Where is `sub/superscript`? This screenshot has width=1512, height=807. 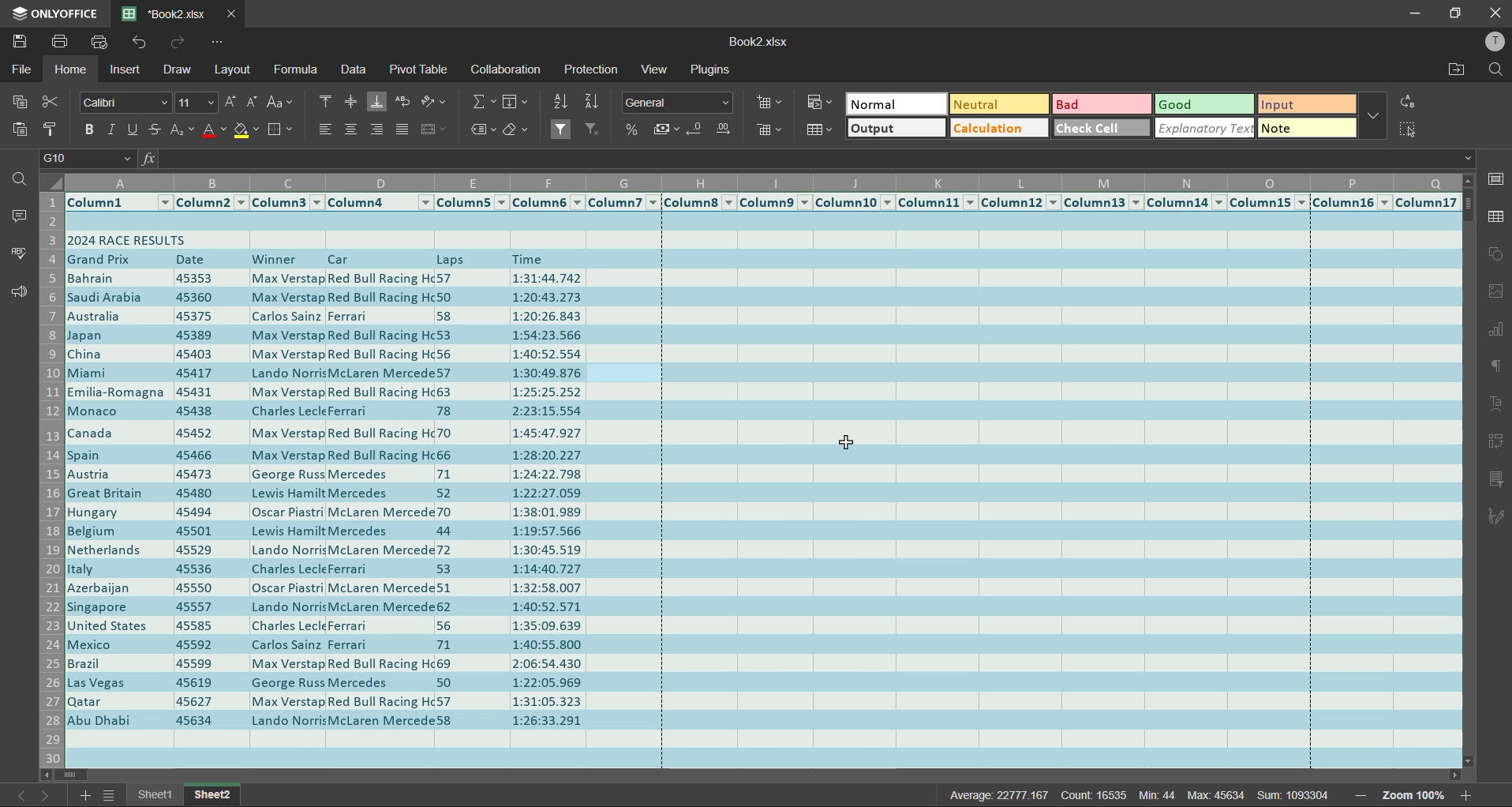
sub/superscript is located at coordinates (184, 131).